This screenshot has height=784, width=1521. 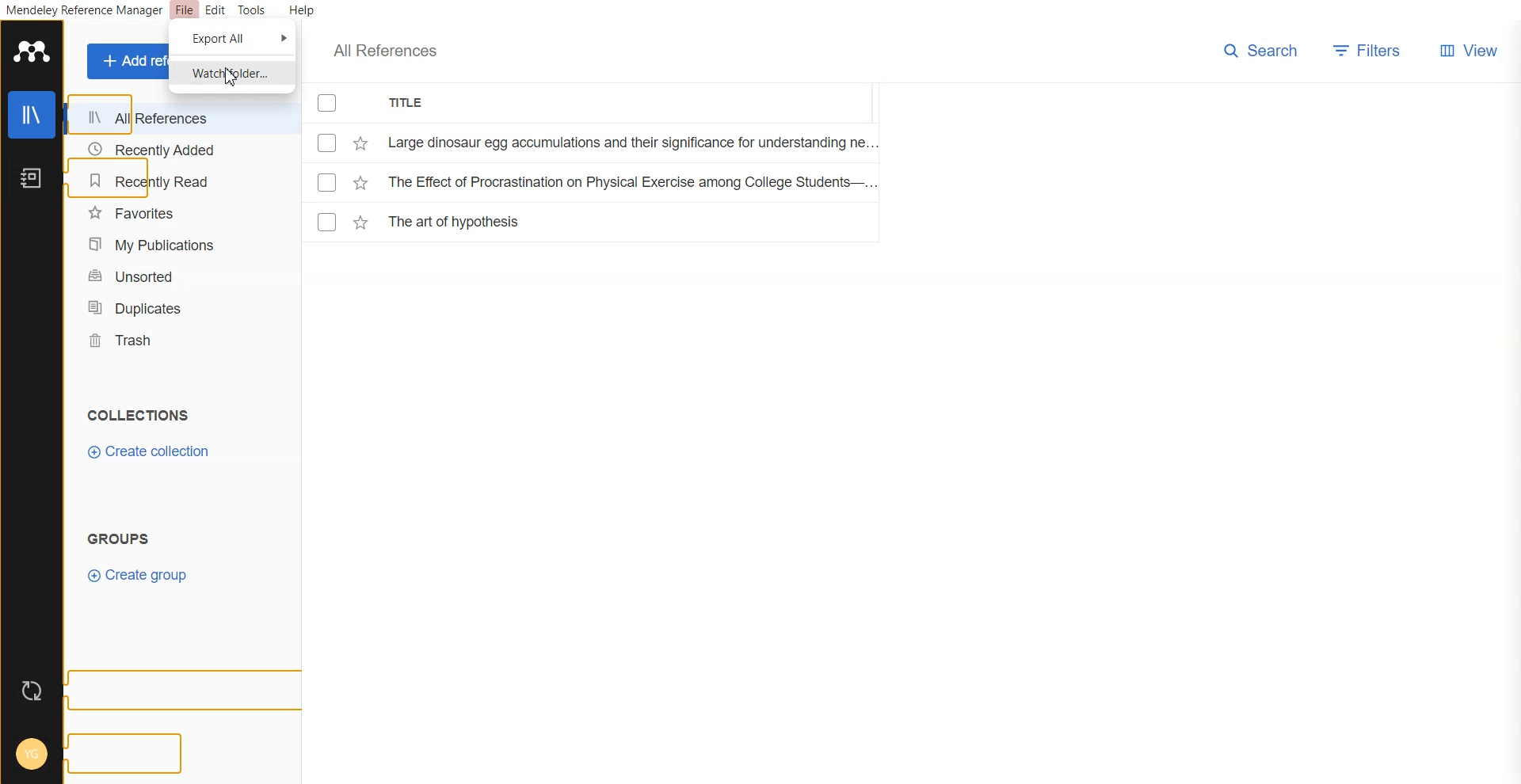 What do you see at coordinates (215, 11) in the screenshot?
I see `Edit` at bounding box center [215, 11].